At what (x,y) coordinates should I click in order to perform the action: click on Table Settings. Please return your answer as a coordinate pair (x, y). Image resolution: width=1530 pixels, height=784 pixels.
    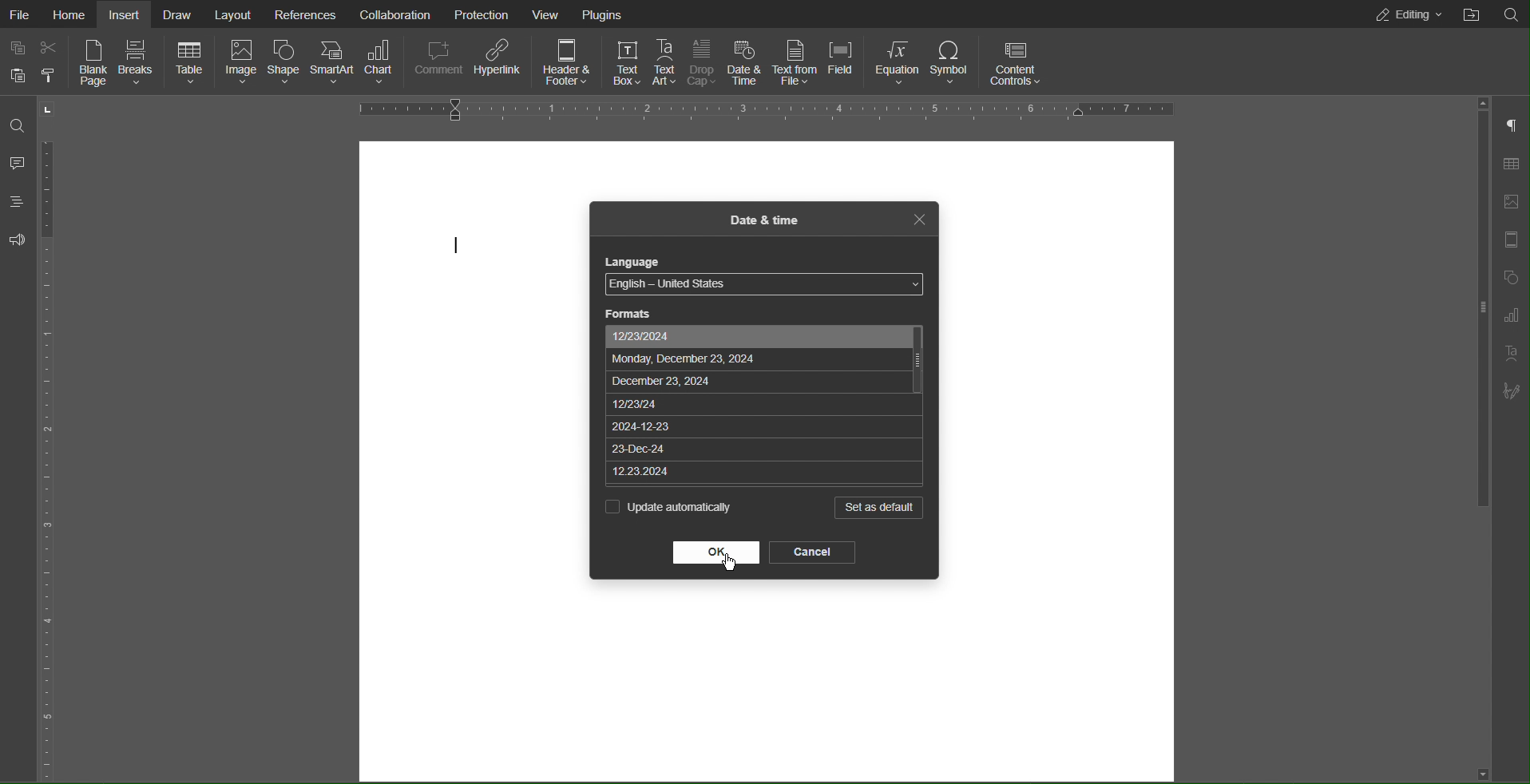
    Looking at the image, I should click on (1512, 166).